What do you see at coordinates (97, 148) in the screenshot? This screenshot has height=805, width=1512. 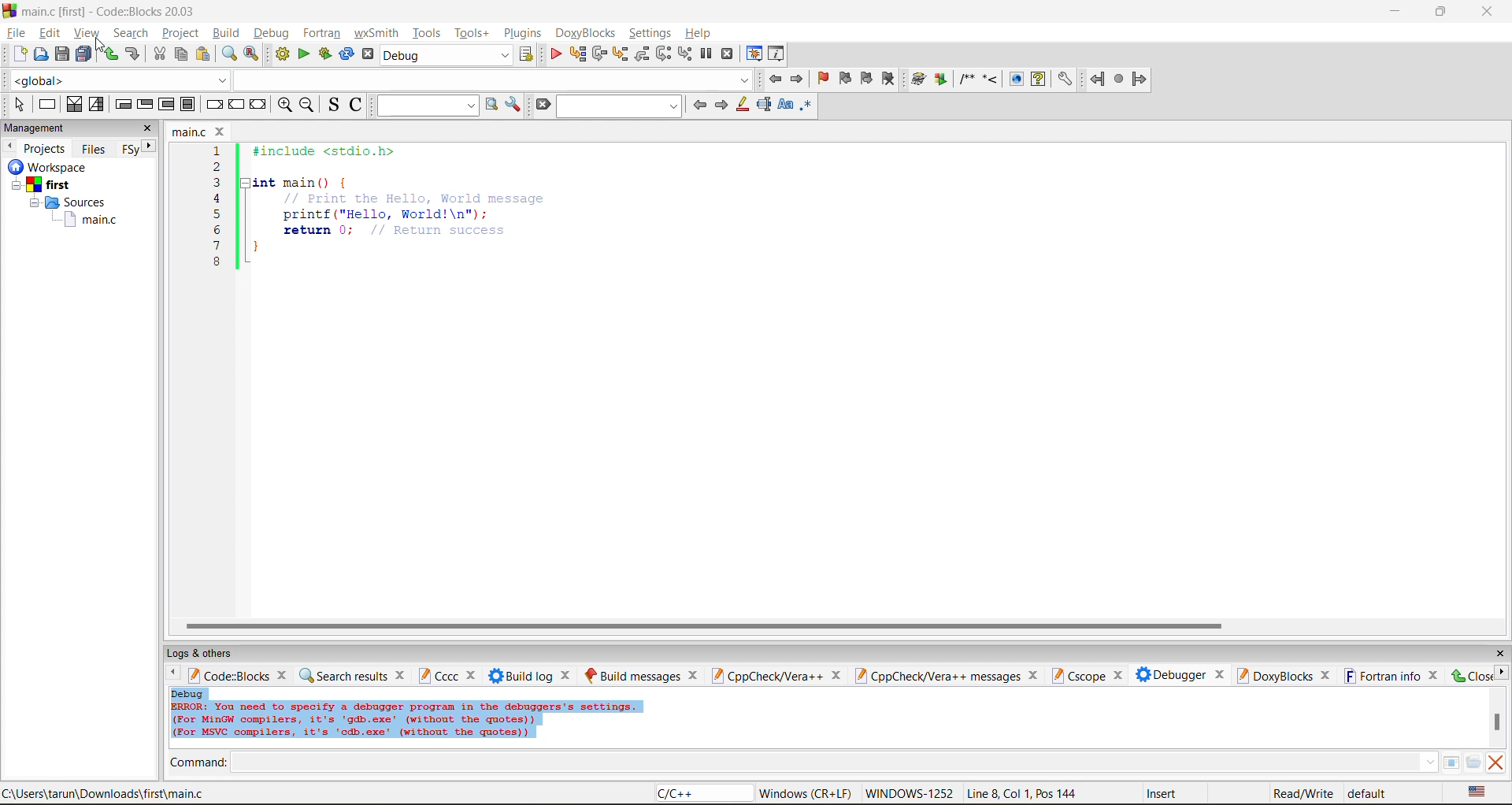 I see `files` at bounding box center [97, 148].